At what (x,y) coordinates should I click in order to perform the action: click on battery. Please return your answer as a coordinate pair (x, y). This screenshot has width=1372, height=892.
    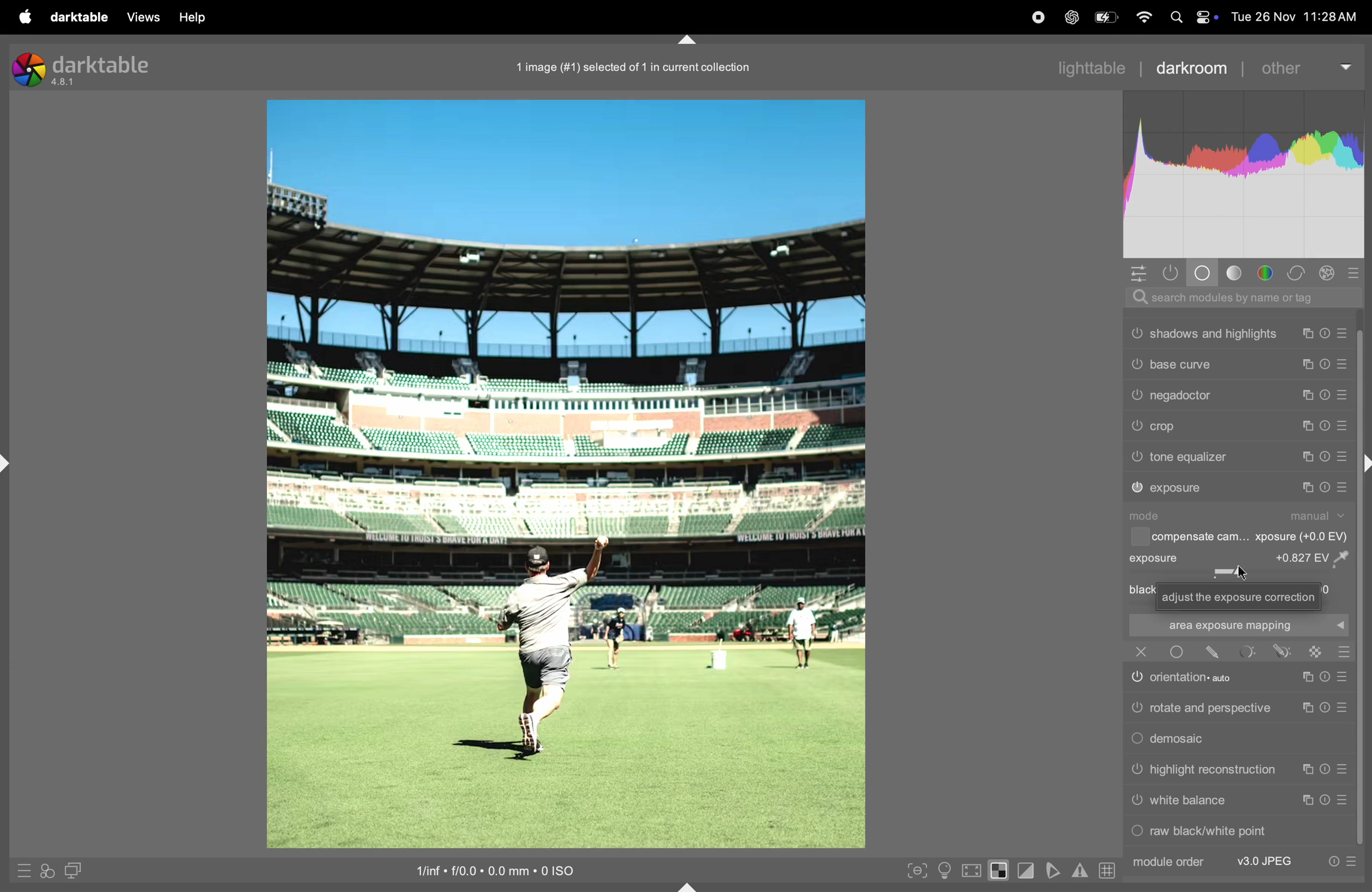
    Looking at the image, I should click on (1108, 16).